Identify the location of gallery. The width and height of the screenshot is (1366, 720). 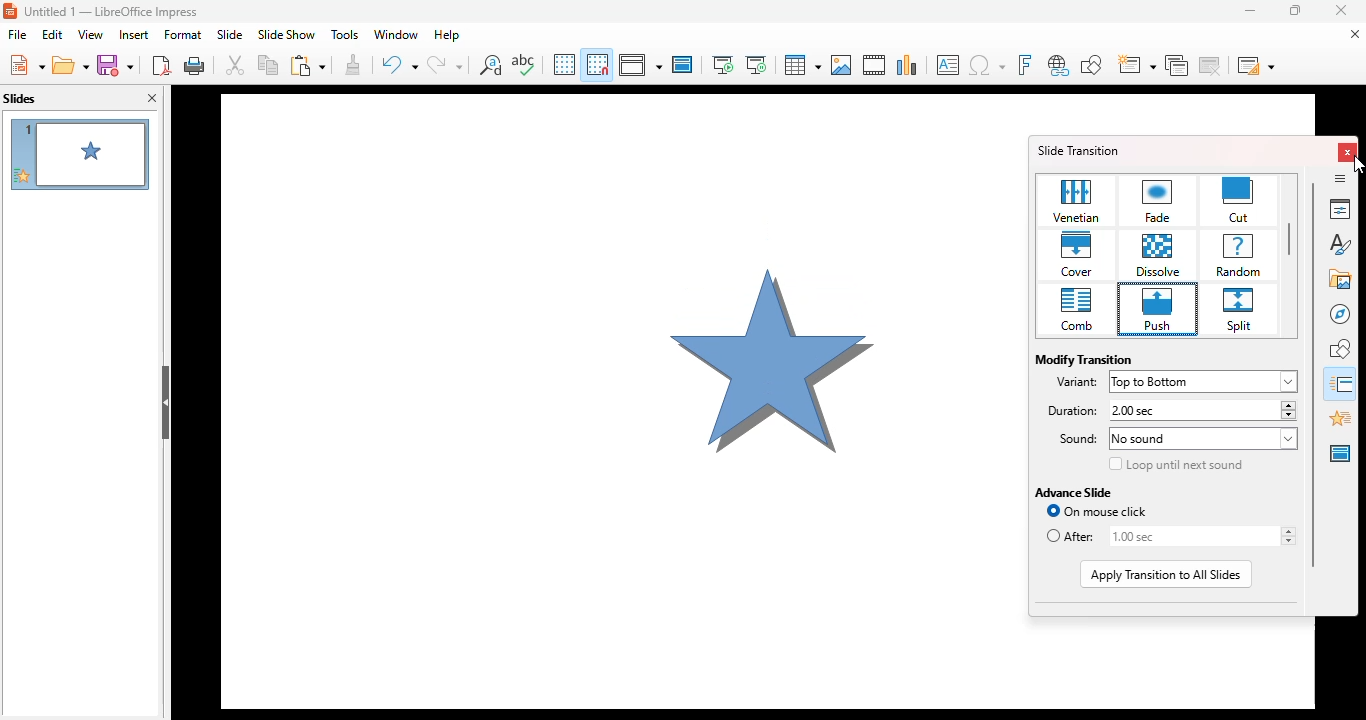
(1341, 278).